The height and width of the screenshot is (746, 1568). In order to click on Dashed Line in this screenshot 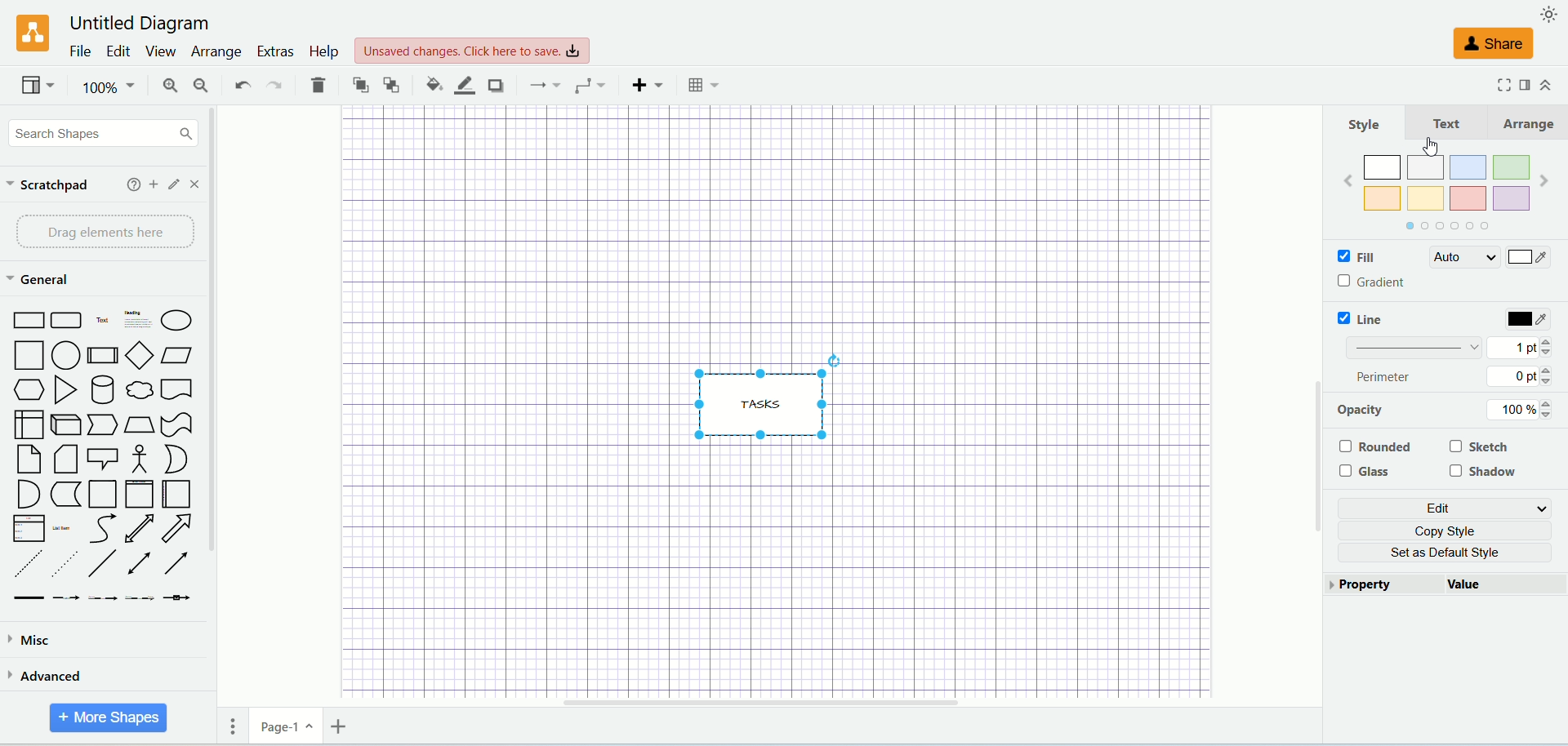, I will do `click(26, 565)`.